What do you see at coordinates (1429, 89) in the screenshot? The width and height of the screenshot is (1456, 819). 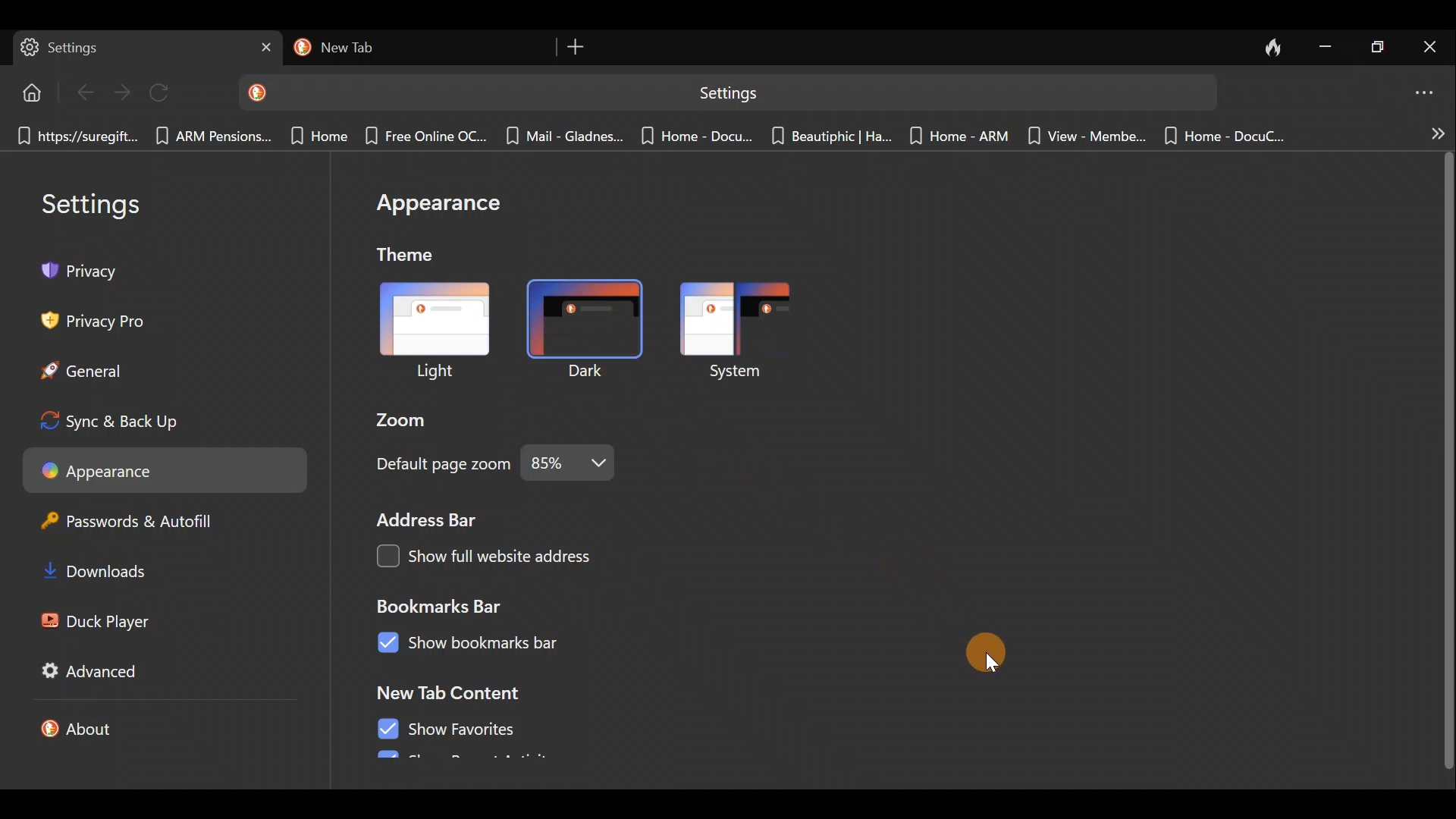 I see `open application menu` at bounding box center [1429, 89].